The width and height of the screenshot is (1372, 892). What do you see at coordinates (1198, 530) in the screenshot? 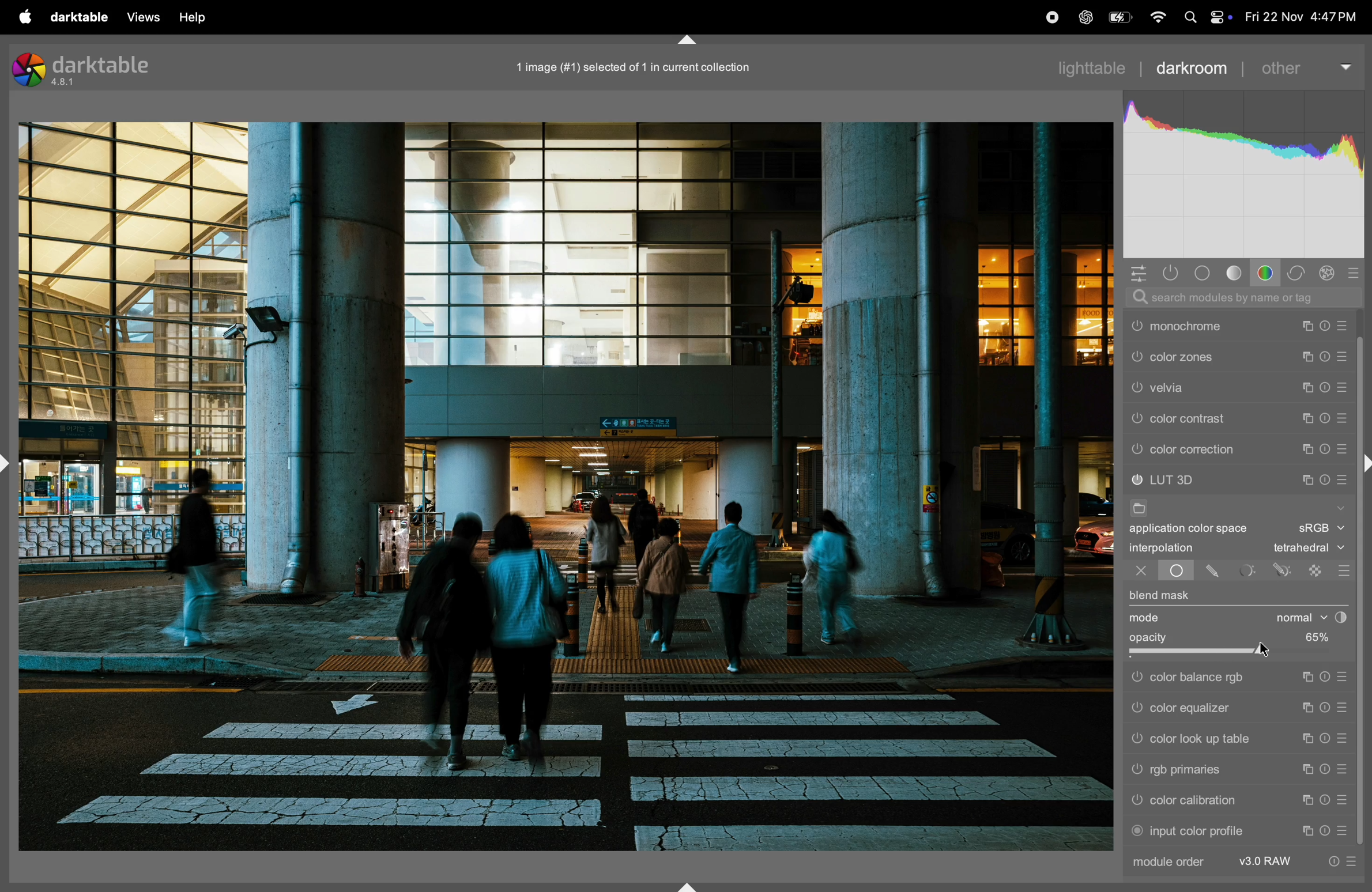
I see `application color space` at bounding box center [1198, 530].